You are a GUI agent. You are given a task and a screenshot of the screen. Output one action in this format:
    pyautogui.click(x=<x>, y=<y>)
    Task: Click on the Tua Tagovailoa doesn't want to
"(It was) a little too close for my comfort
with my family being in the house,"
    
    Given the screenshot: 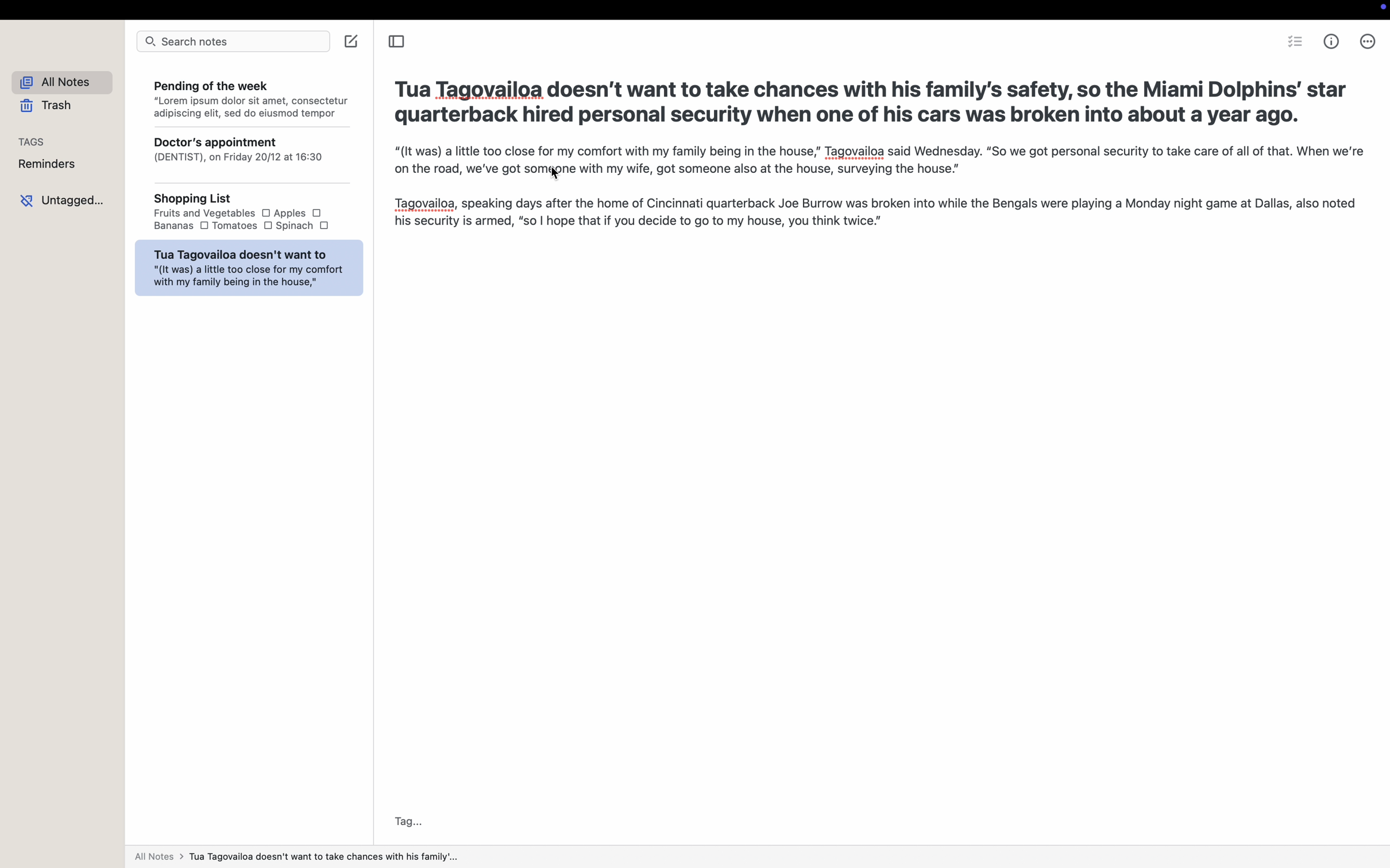 What is the action you would take?
    pyautogui.click(x=248, y=268)
    